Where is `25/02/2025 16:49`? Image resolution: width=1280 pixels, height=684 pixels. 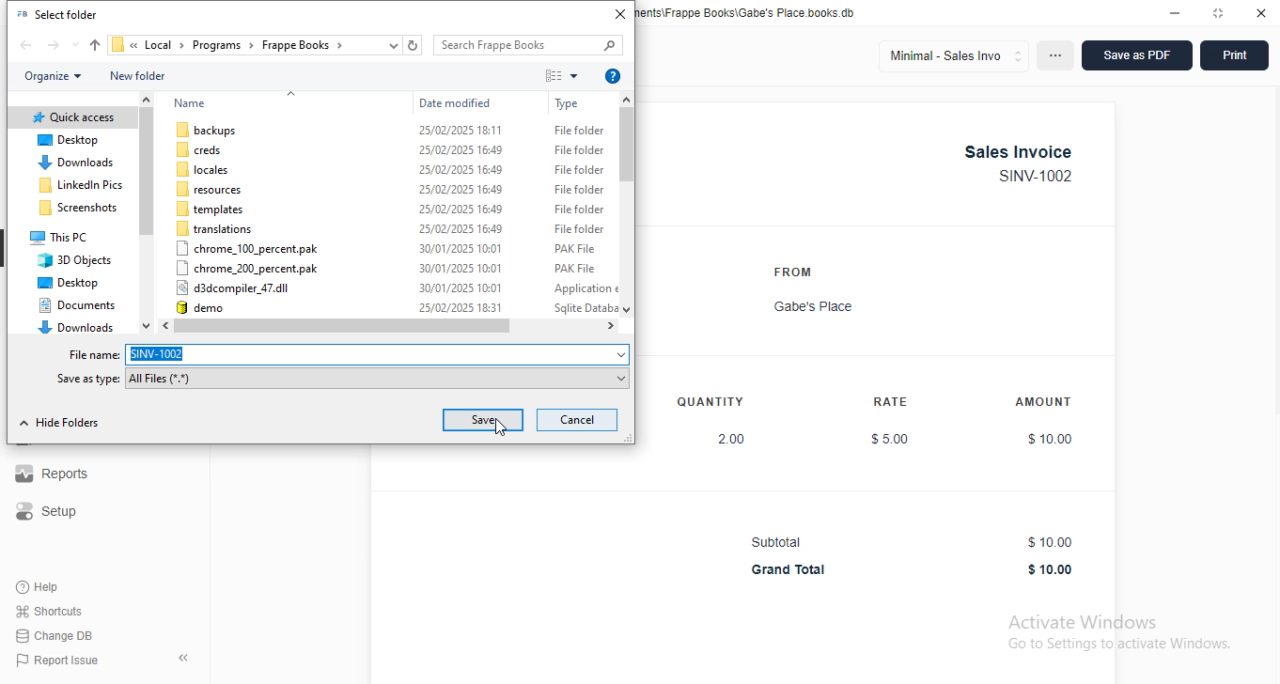 25/02/2025 16:49 is located at coordinates (461, 150).